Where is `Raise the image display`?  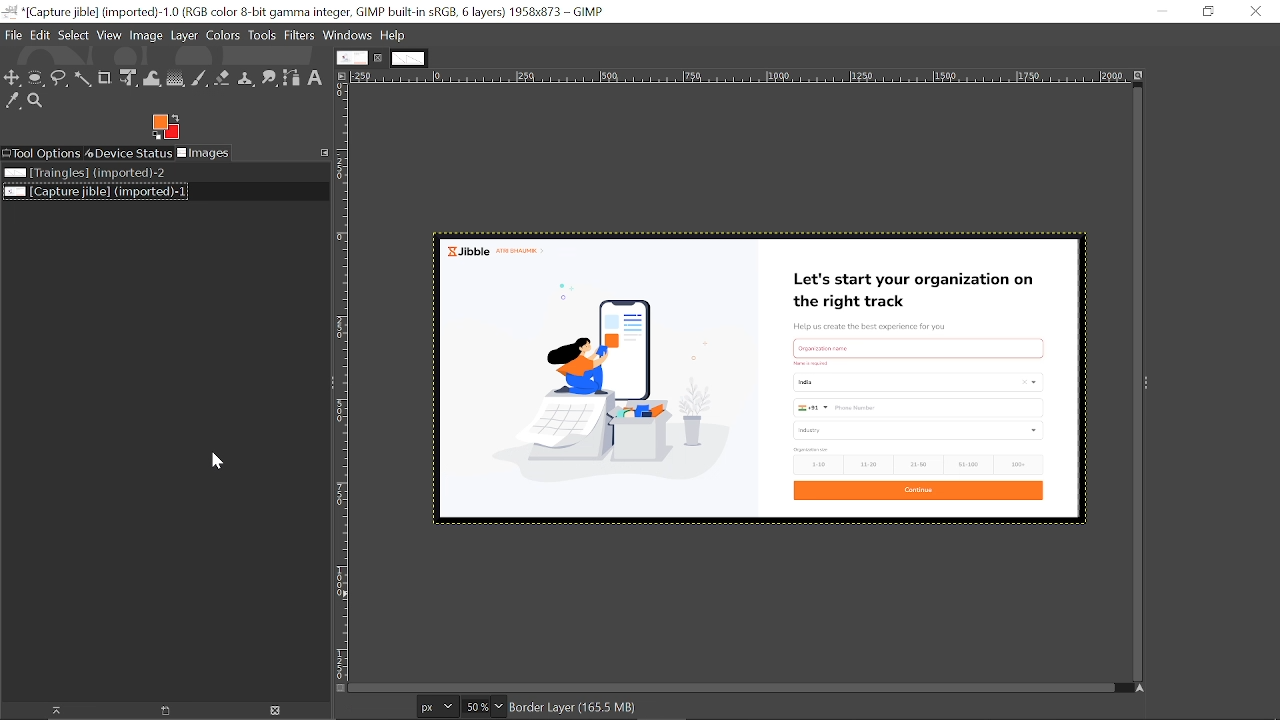 Raise the image display is located at coordinates (51, 711).